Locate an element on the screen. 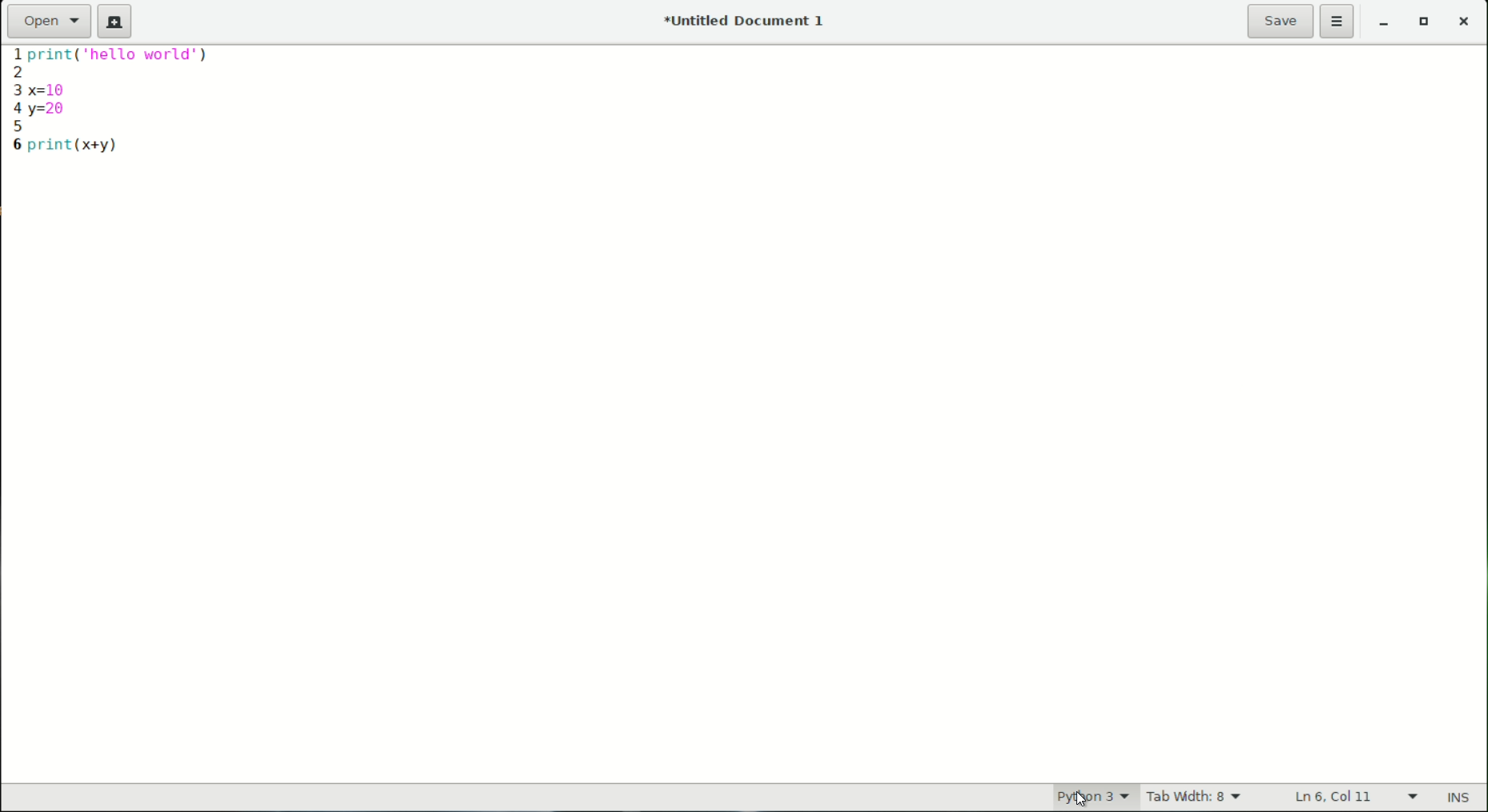 This screenshot has height=812, width=1488. print x + y is located at coordinates (75, 145).